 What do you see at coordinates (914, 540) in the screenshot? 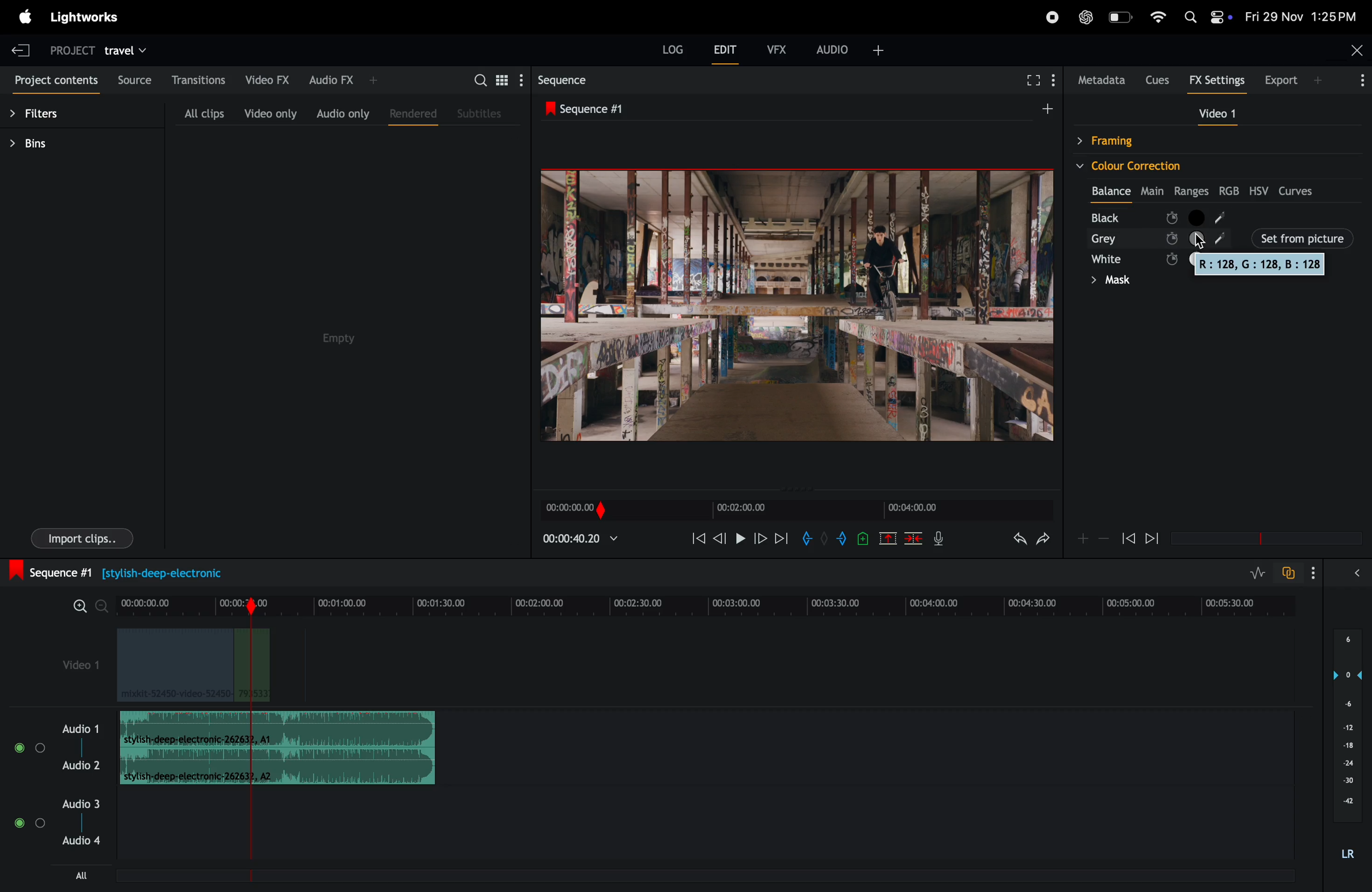
I see `delete` at bounding box center [914, 540].